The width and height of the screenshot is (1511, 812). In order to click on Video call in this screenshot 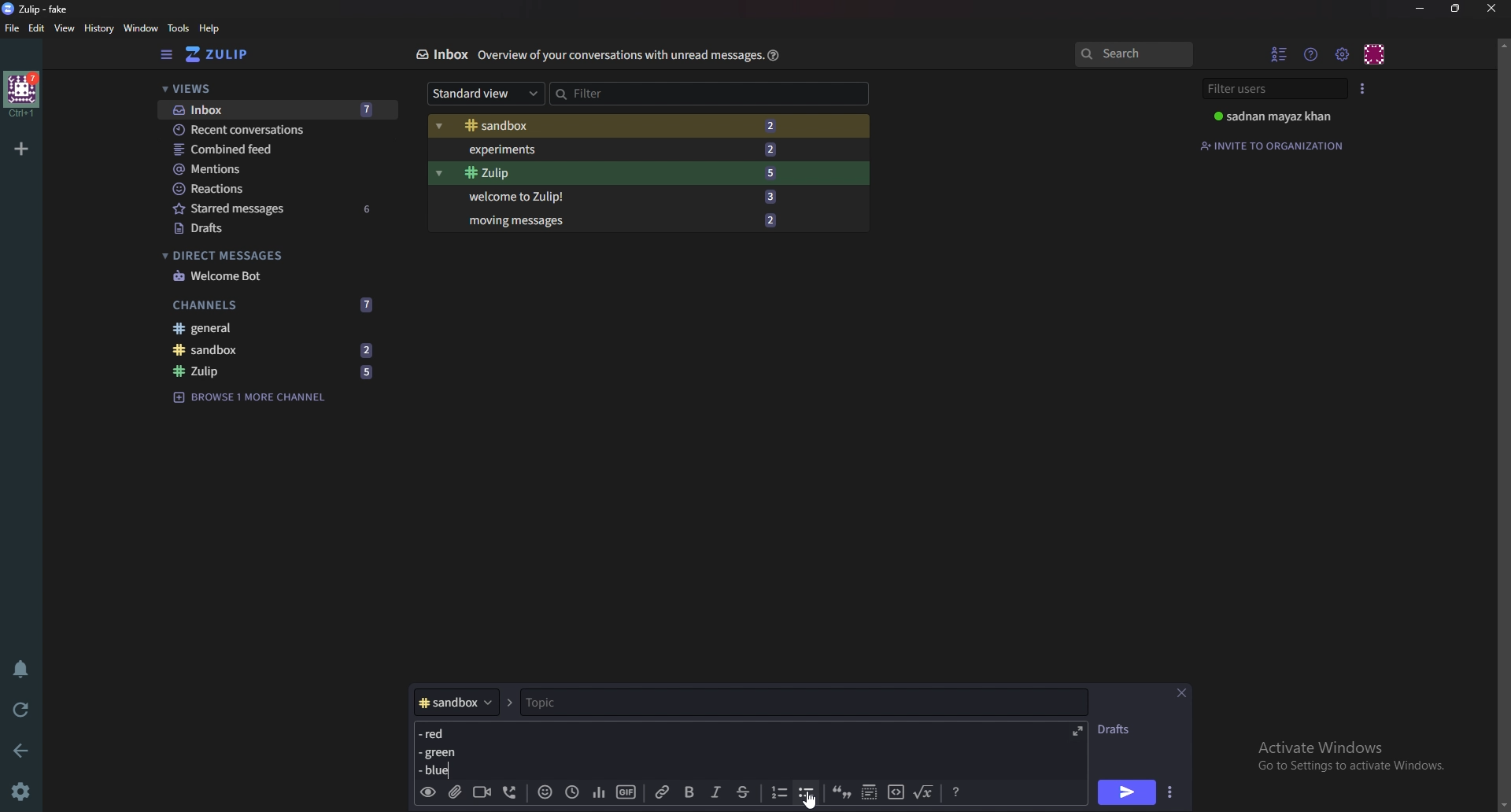, I will do `click(481, 791)`.